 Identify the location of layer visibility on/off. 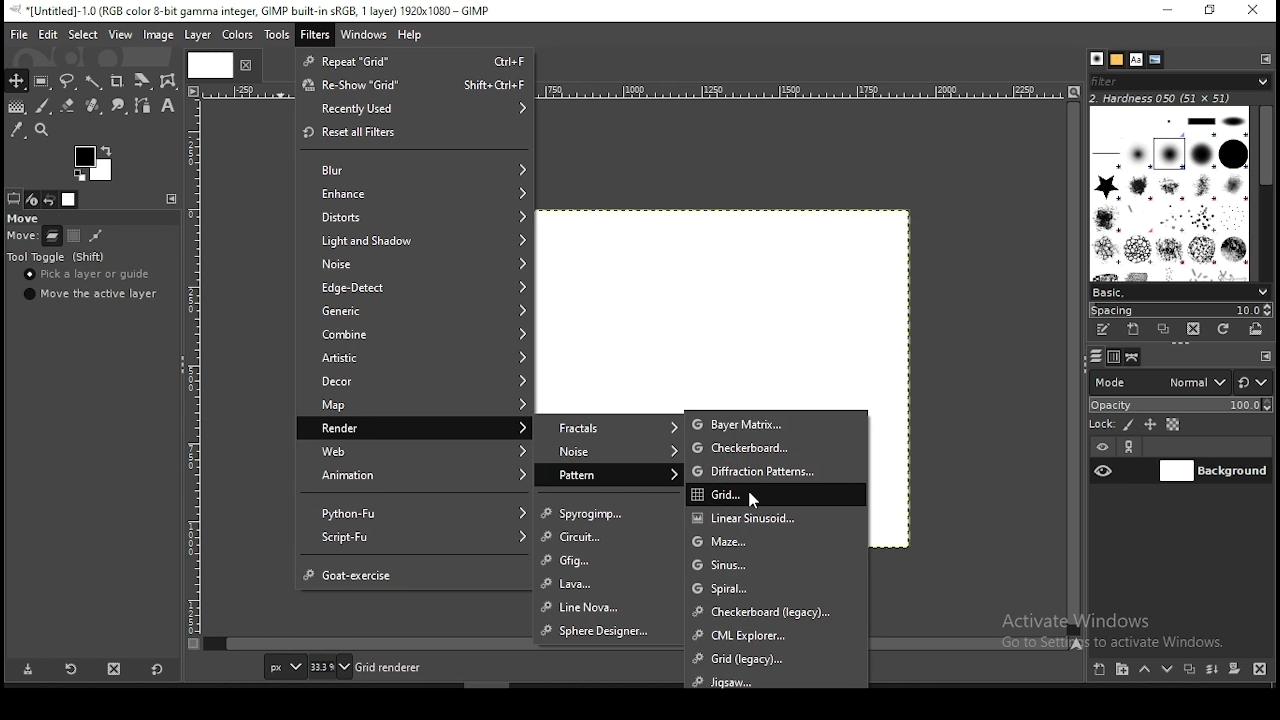
(1104, 470).